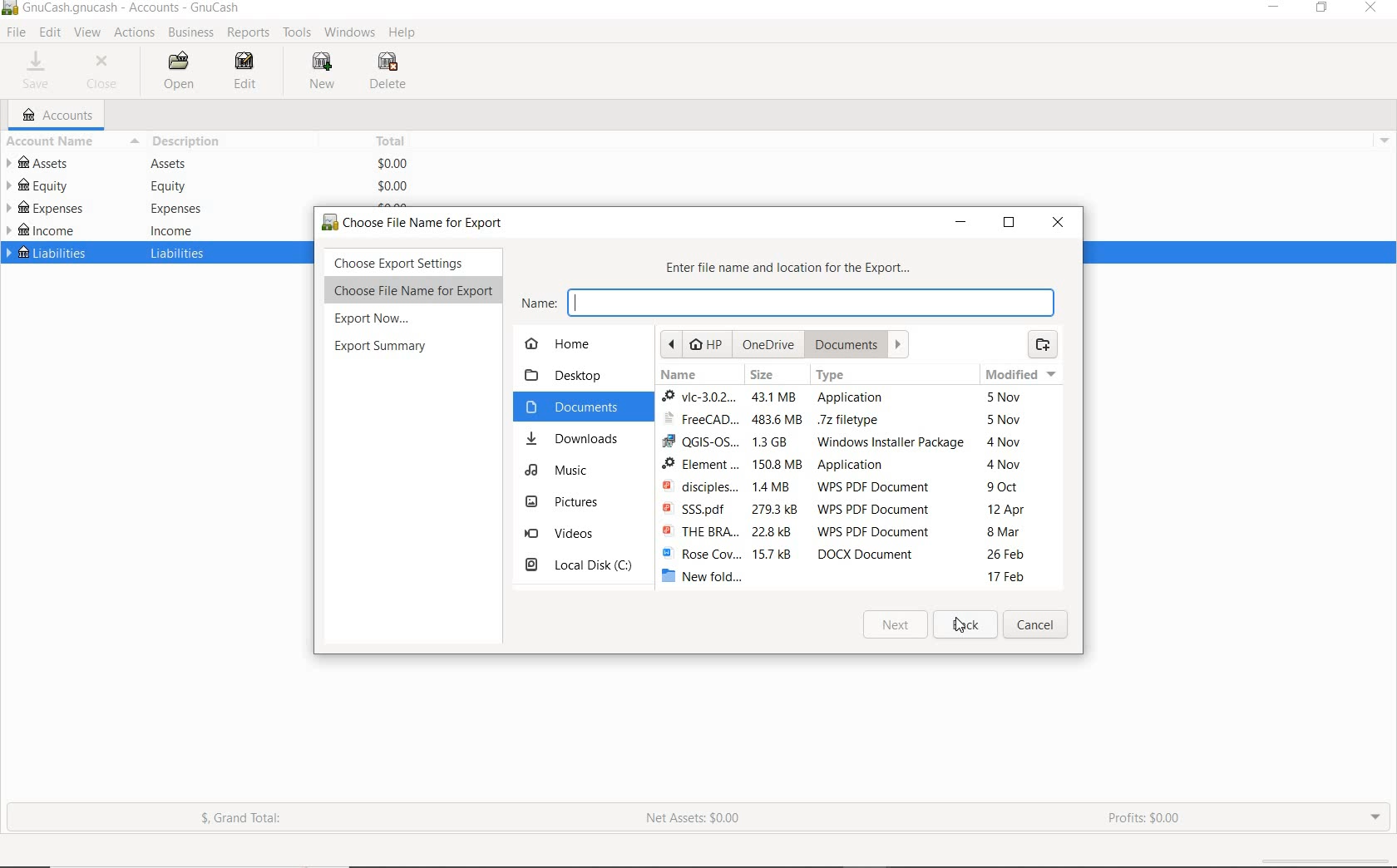 The height and width of the screenshot is (868, 1397). What do you see at coordinates (1145, 817) in the screenshot?
I see `PROFITS` at bounding box center [1145, 817].